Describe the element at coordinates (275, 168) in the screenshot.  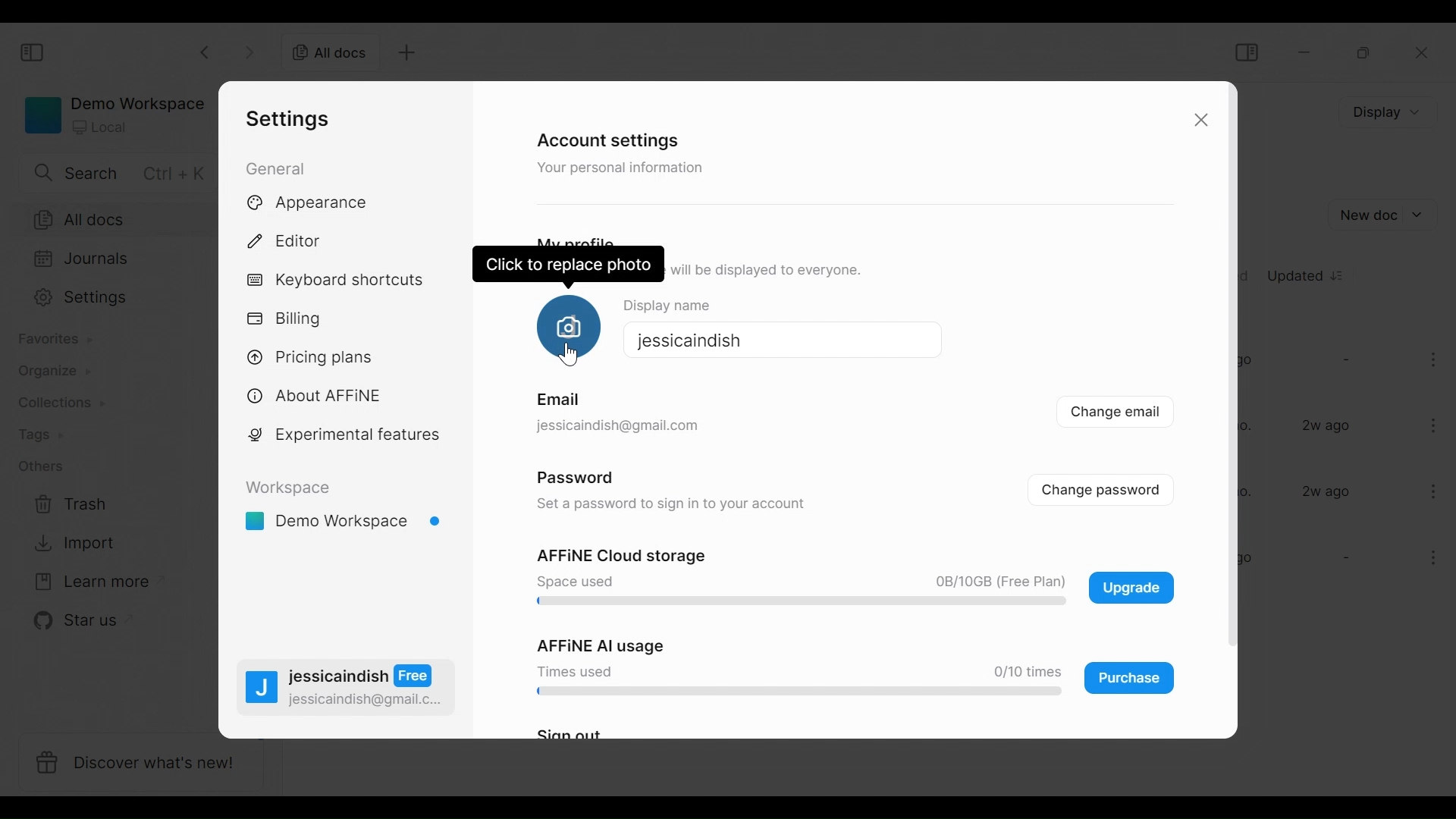
I see `General` at that location.